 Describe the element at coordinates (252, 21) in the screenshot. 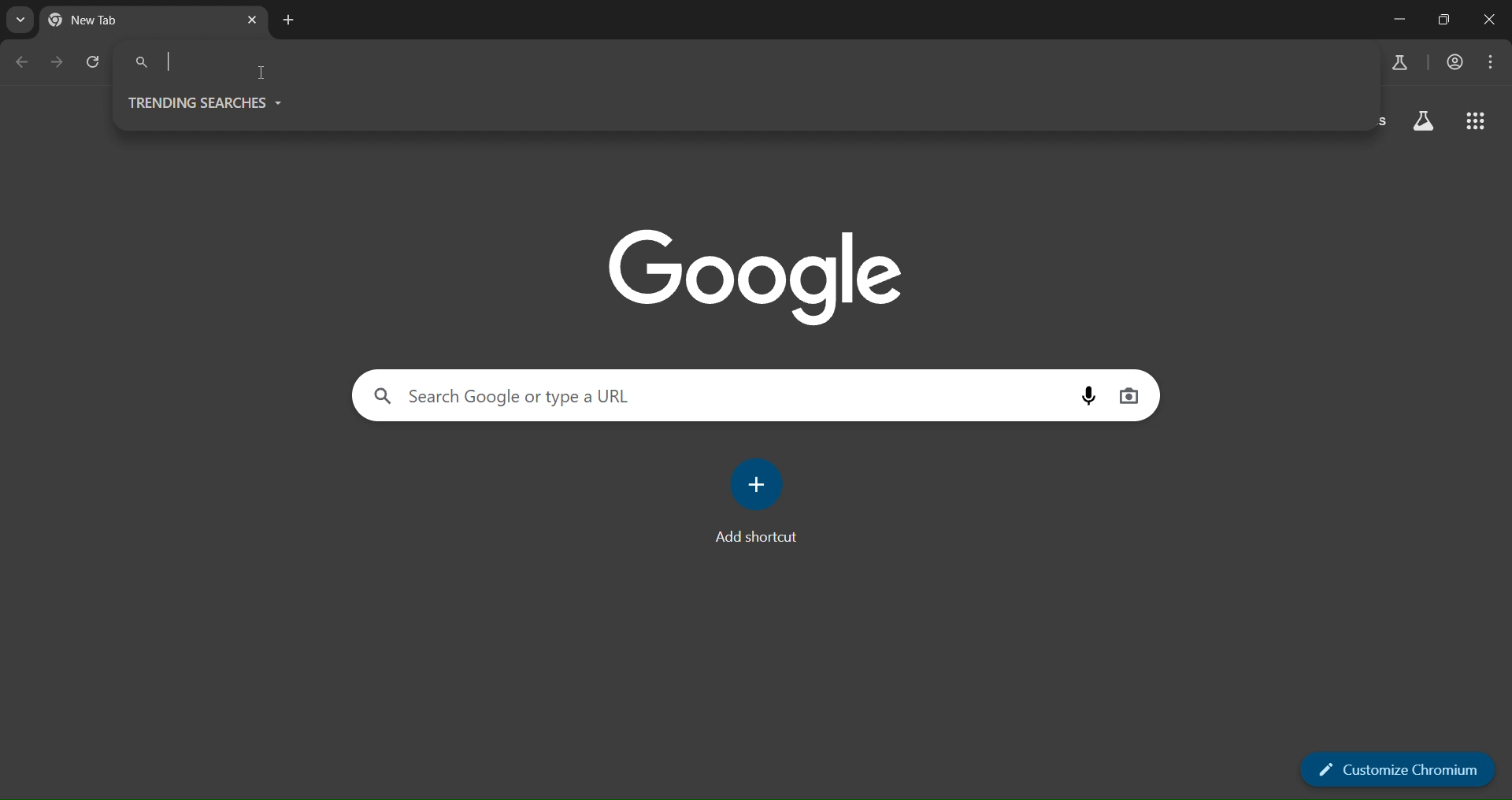

I see `close tab` at that location.